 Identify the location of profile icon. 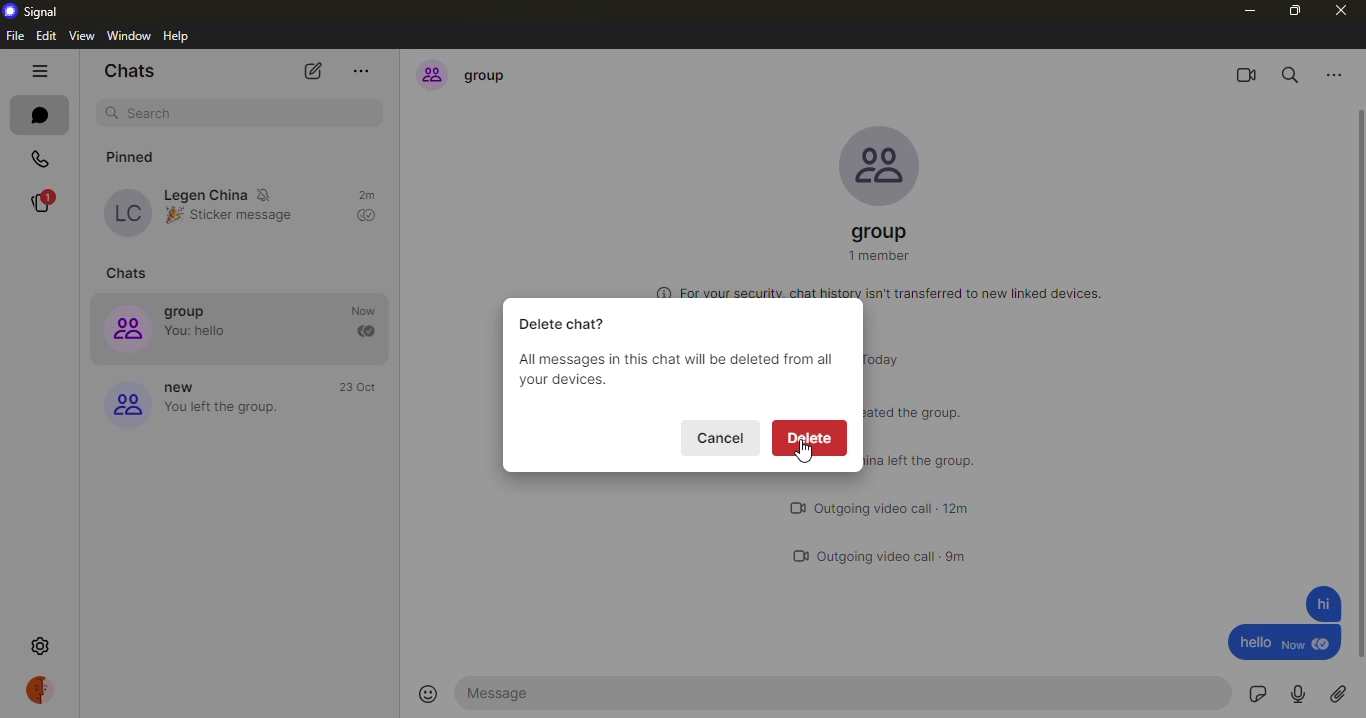
(429, 74).